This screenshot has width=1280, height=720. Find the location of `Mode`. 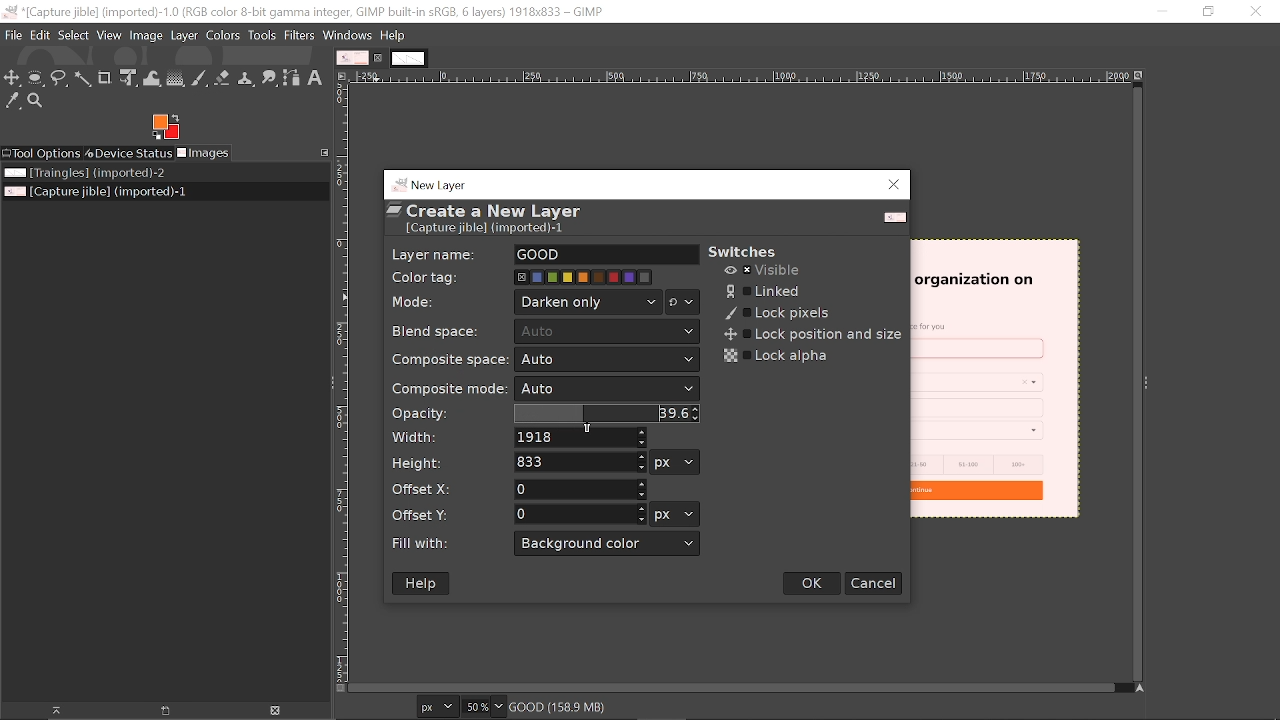

Mode is located at coordinates (589, 302).